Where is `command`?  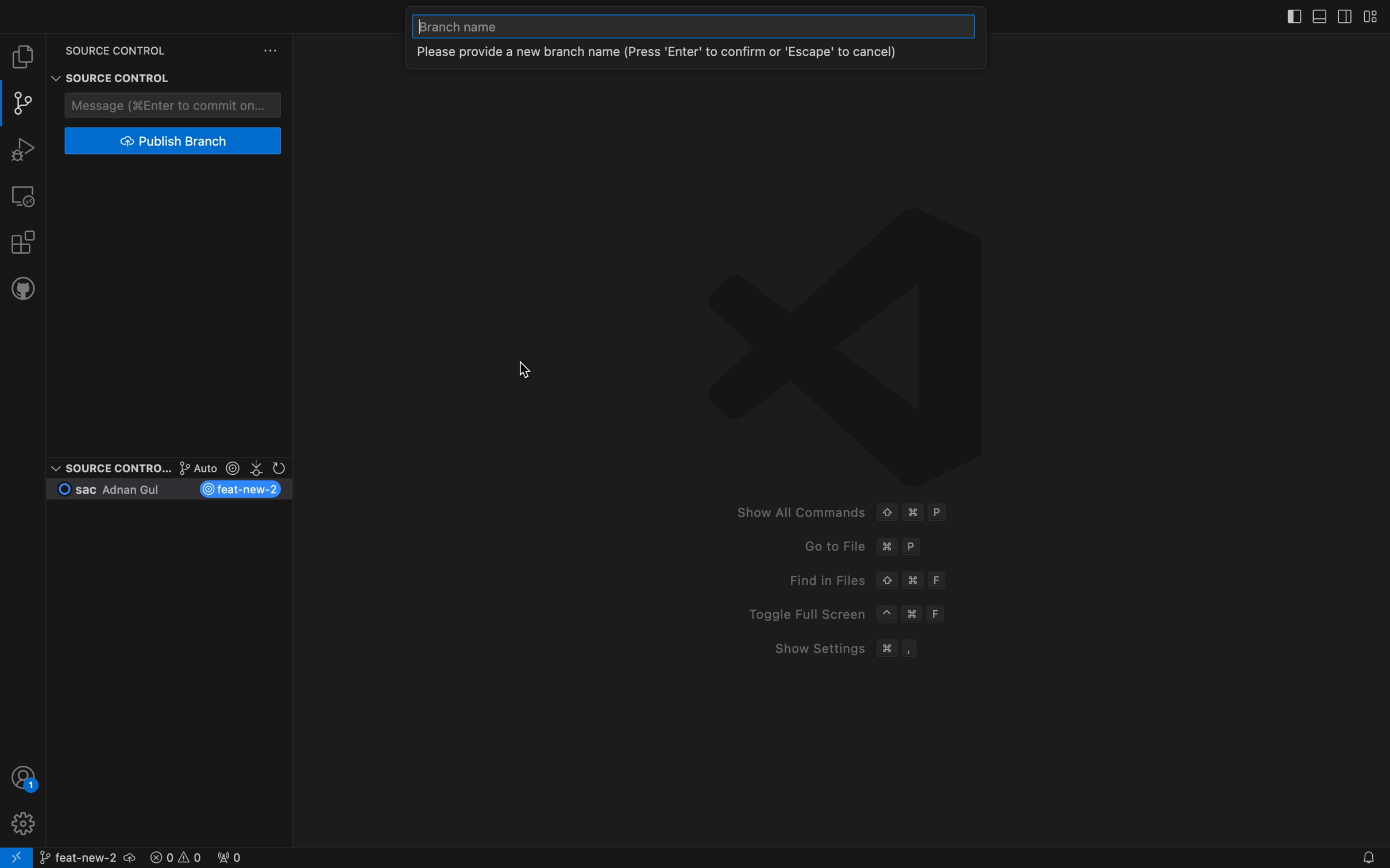
command is located at coordinates (887, 547).